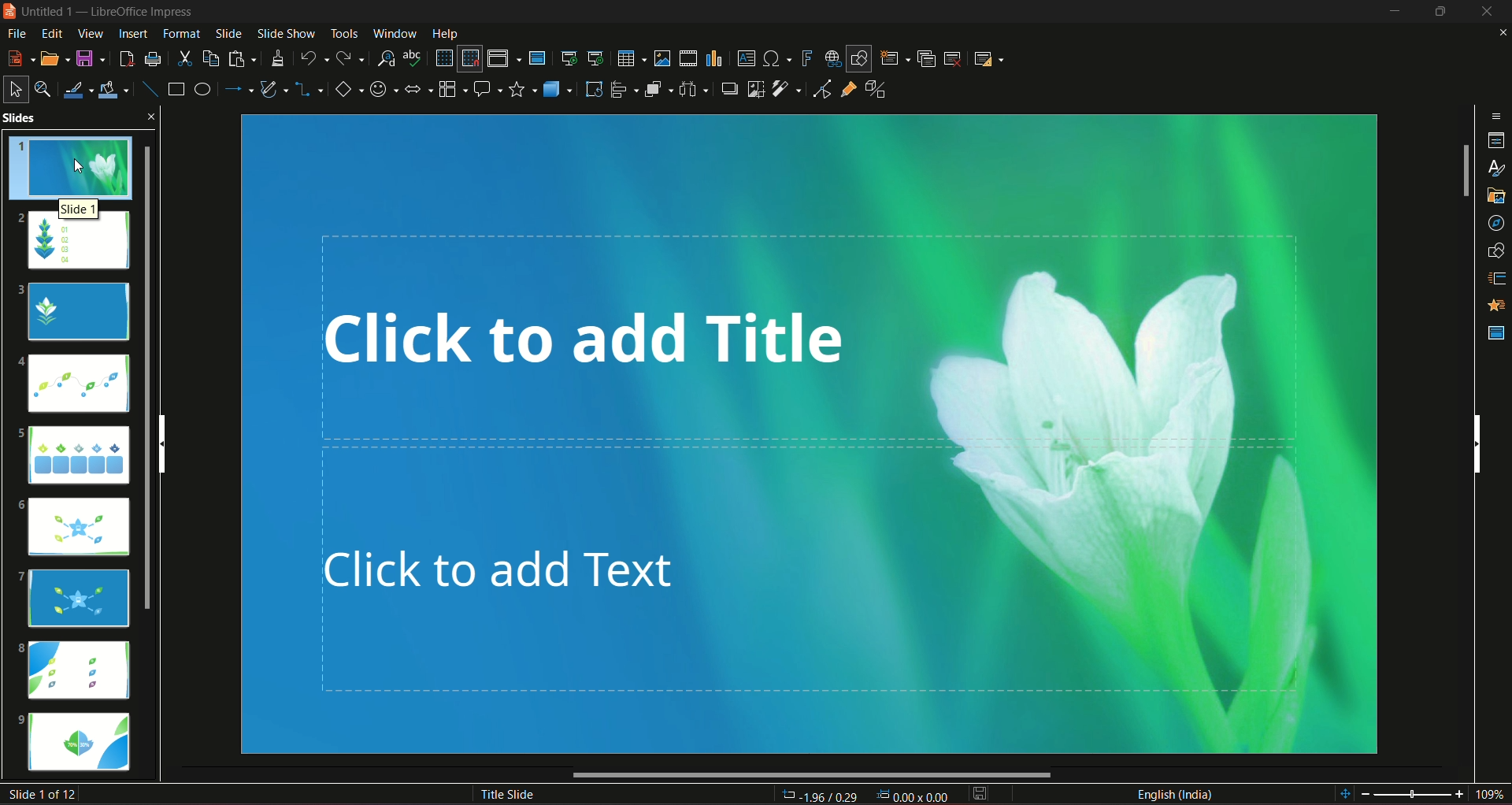 This screenshot has height=805, width=1512. What do you see at coordinates (858, 57) in the screenshot?
I see `show draw functions` at bounding box center [858, 57].